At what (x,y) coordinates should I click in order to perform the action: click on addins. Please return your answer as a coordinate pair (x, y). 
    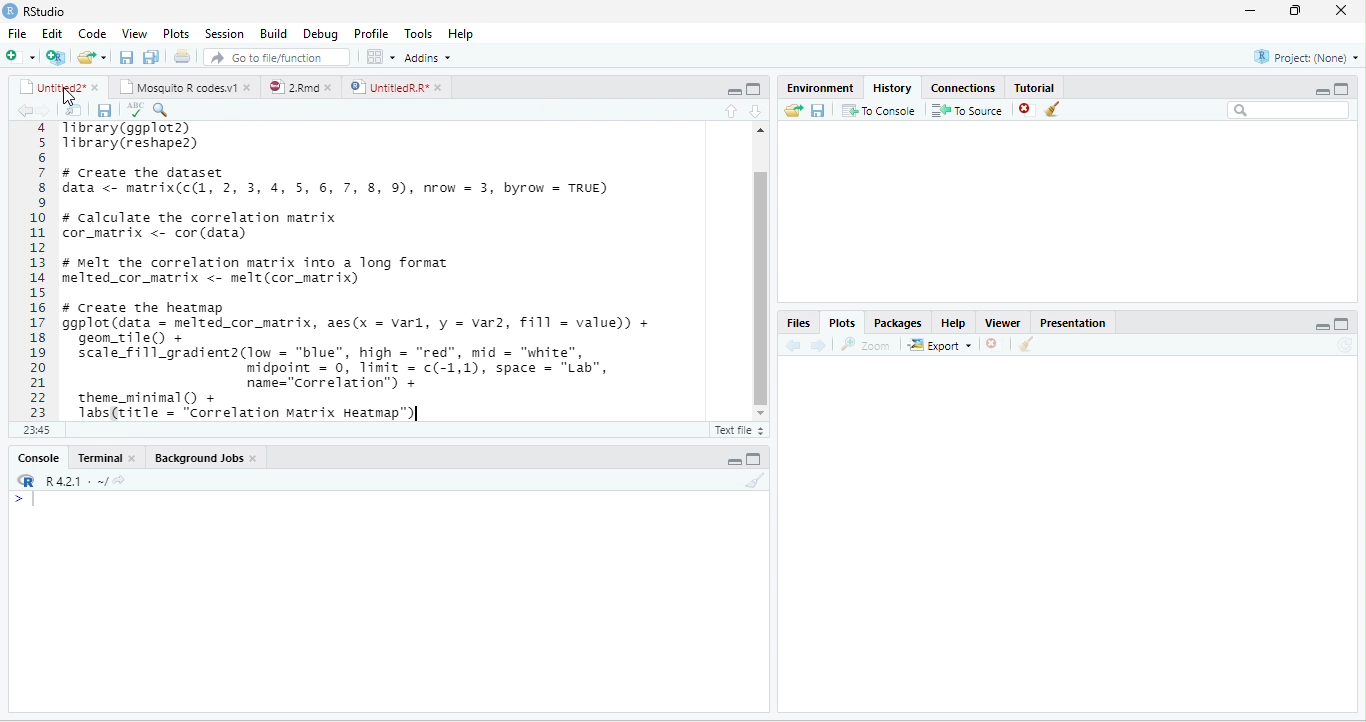
    Looking at the image, I should click on (432, 57).